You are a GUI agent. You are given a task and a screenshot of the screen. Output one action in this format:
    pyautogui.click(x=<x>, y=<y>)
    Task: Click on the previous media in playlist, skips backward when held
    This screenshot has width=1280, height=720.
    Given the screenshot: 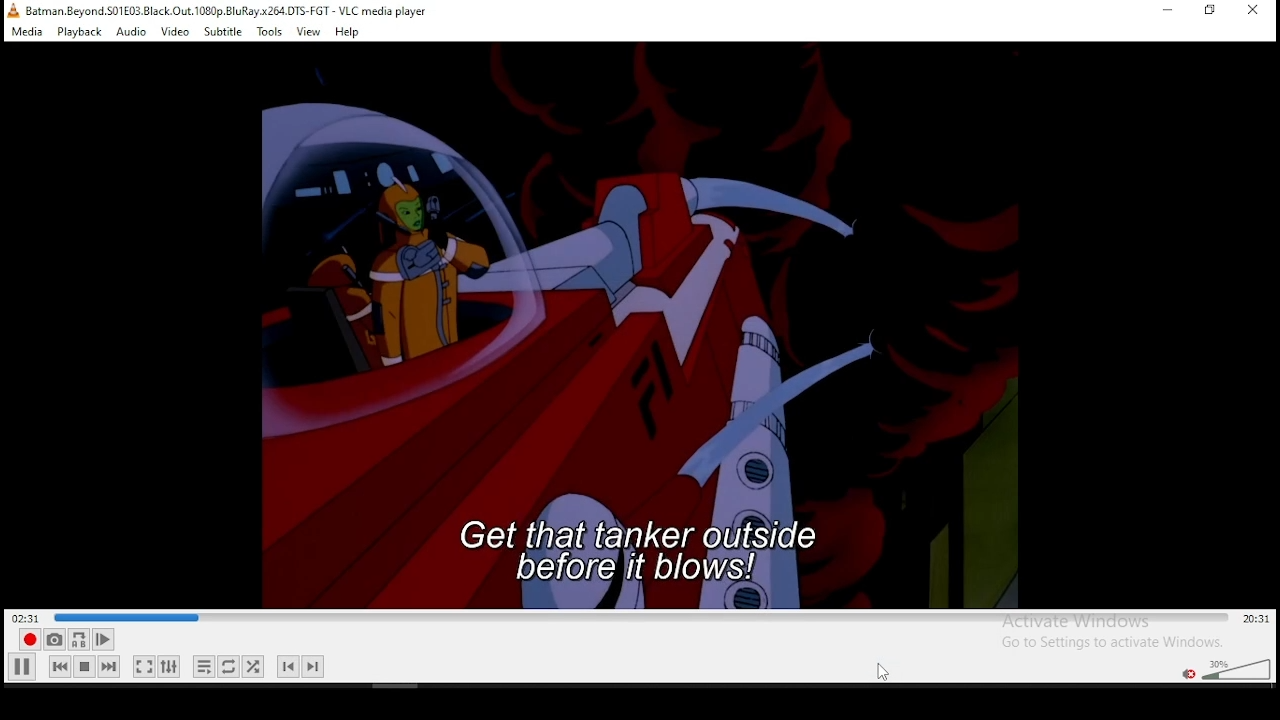 What is the action you would take?
    pyautogui.click(x=60, y=666)
    